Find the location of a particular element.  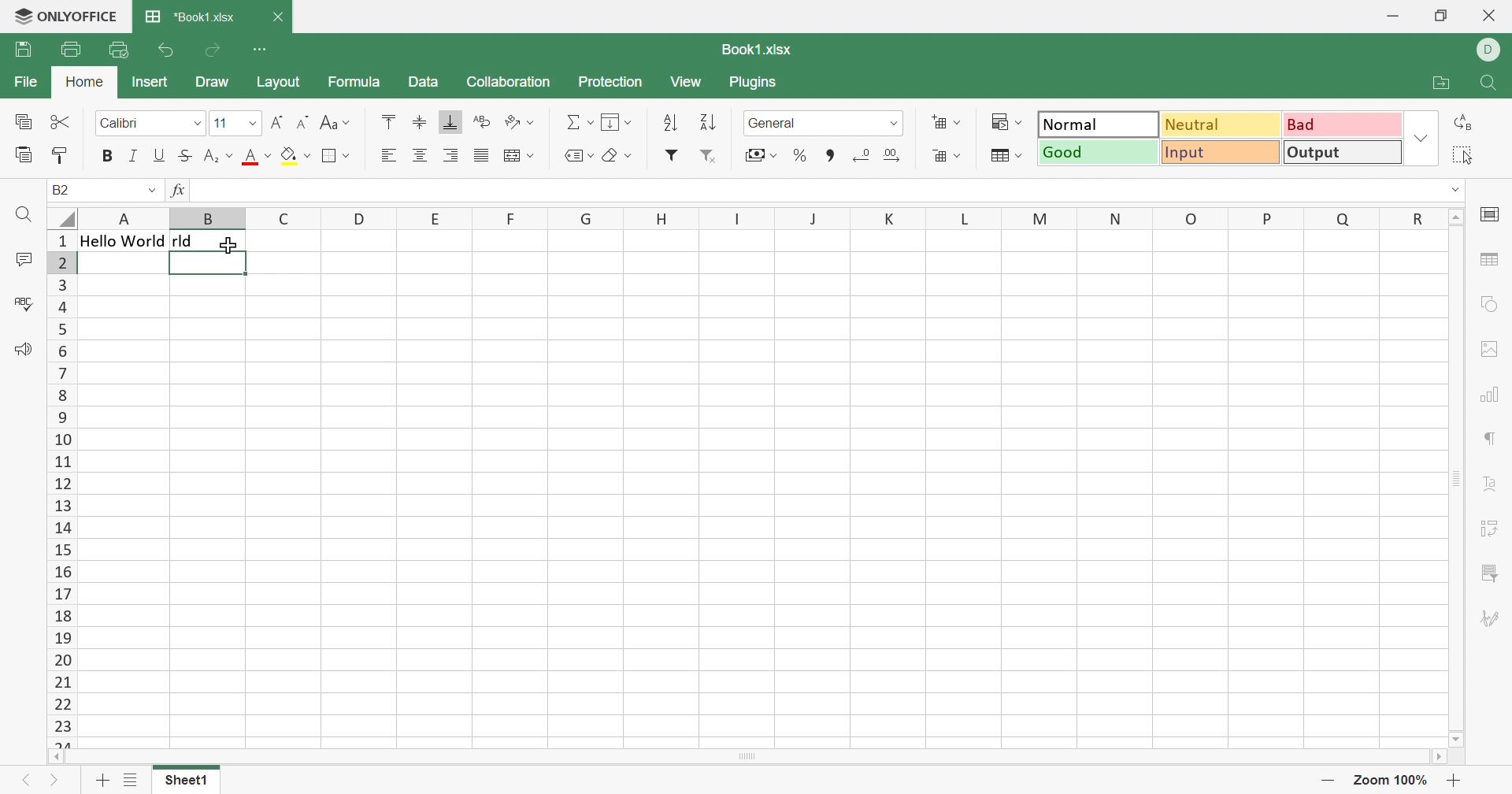

Replace is located at coordinates (1464, 123).